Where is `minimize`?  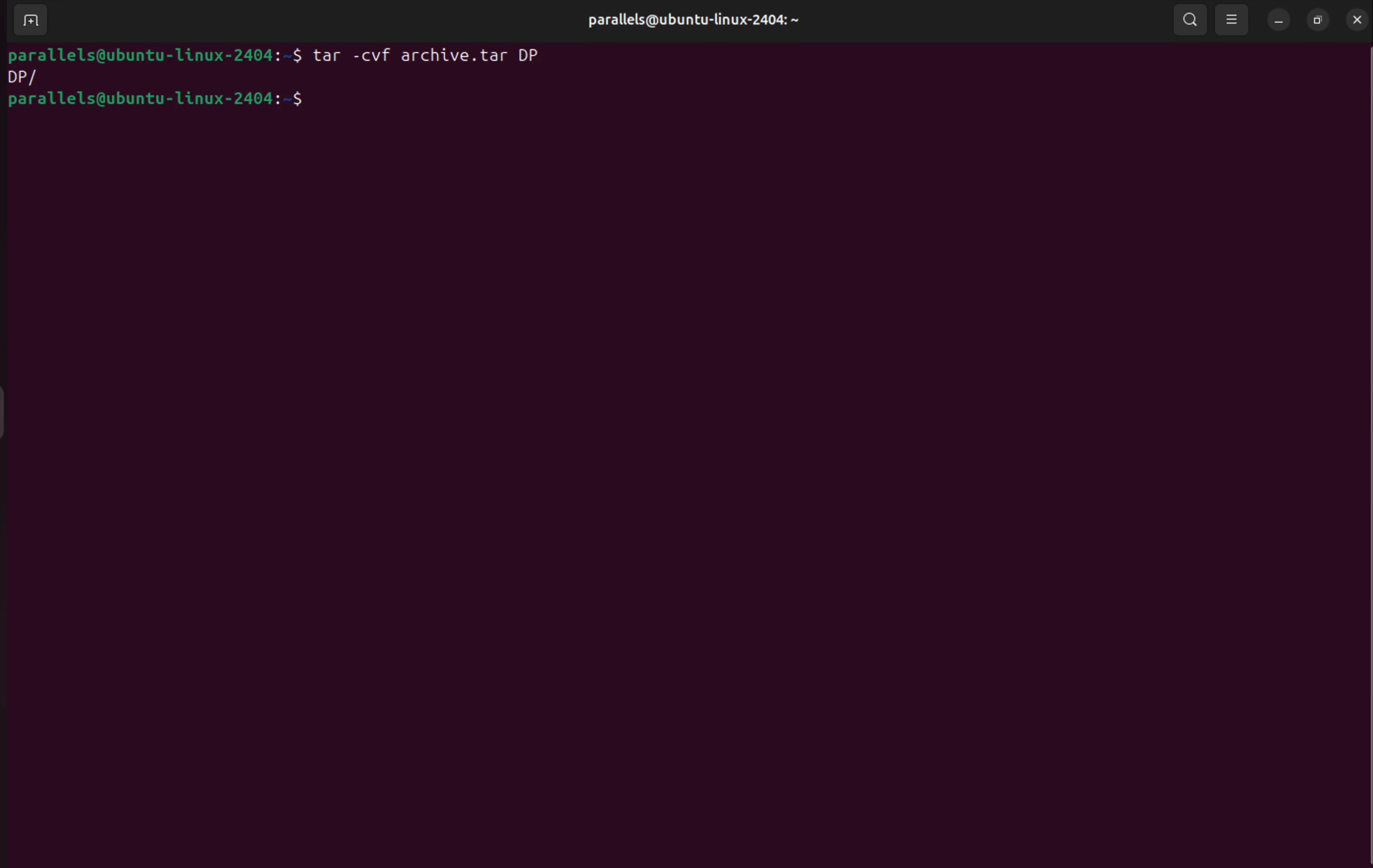 minimize is located at coordinates (1279, 19).